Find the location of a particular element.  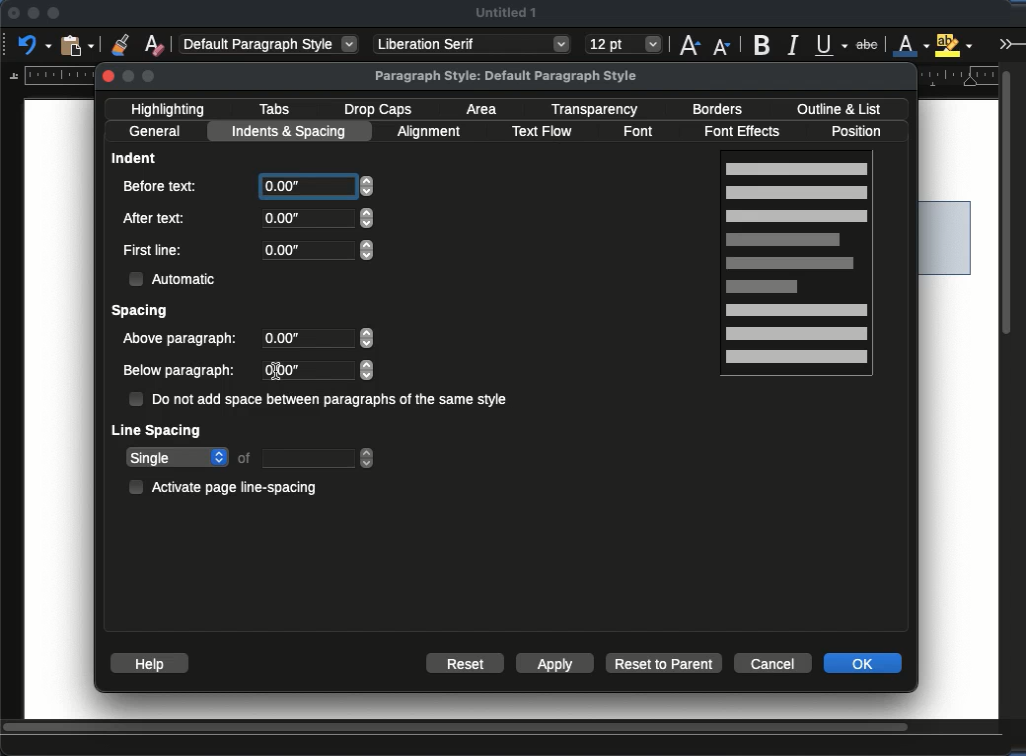

ok is located at coordinates (862, 663).